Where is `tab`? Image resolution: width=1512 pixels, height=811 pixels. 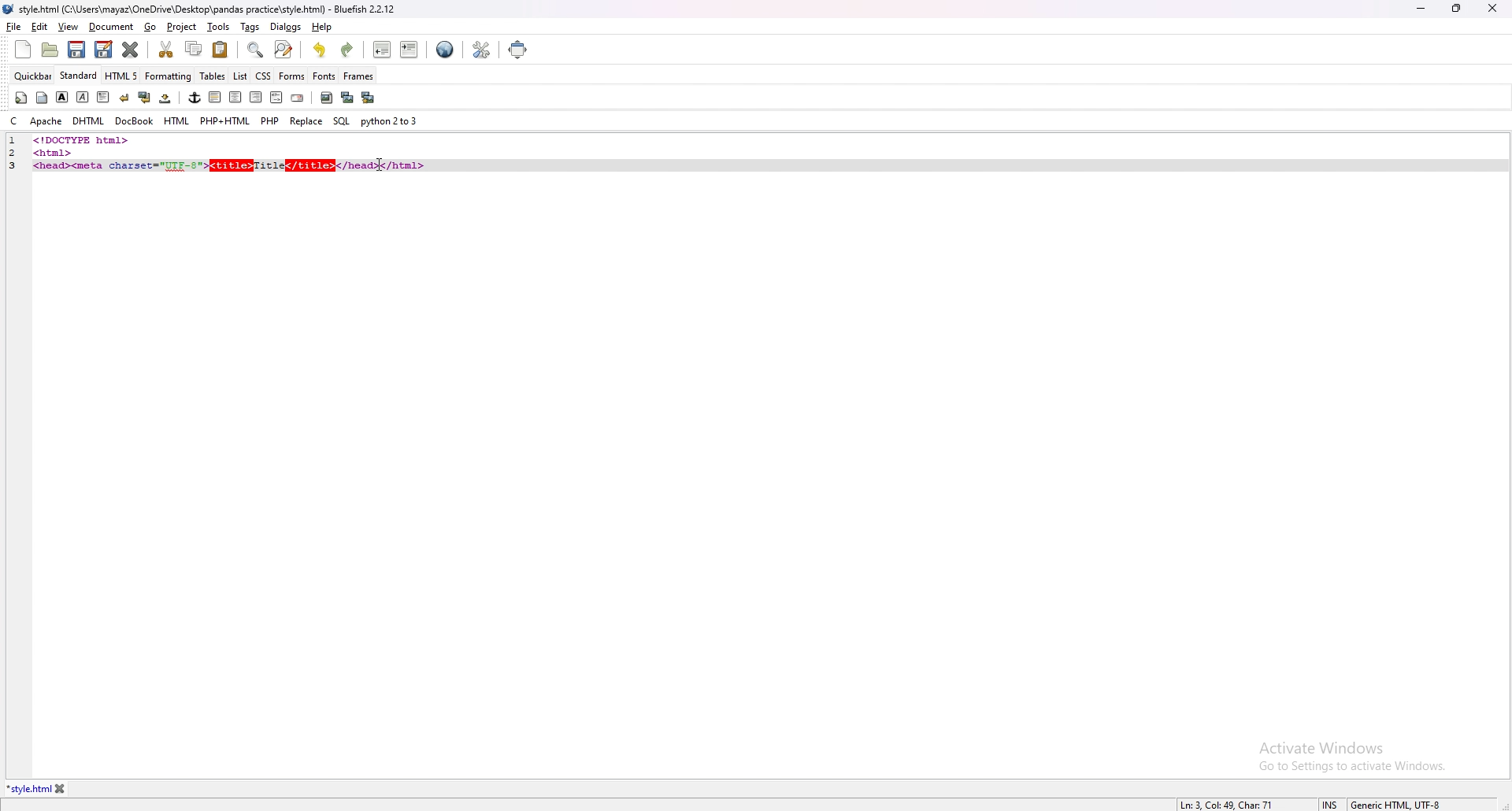
tab is located at coordinates (28, 789).